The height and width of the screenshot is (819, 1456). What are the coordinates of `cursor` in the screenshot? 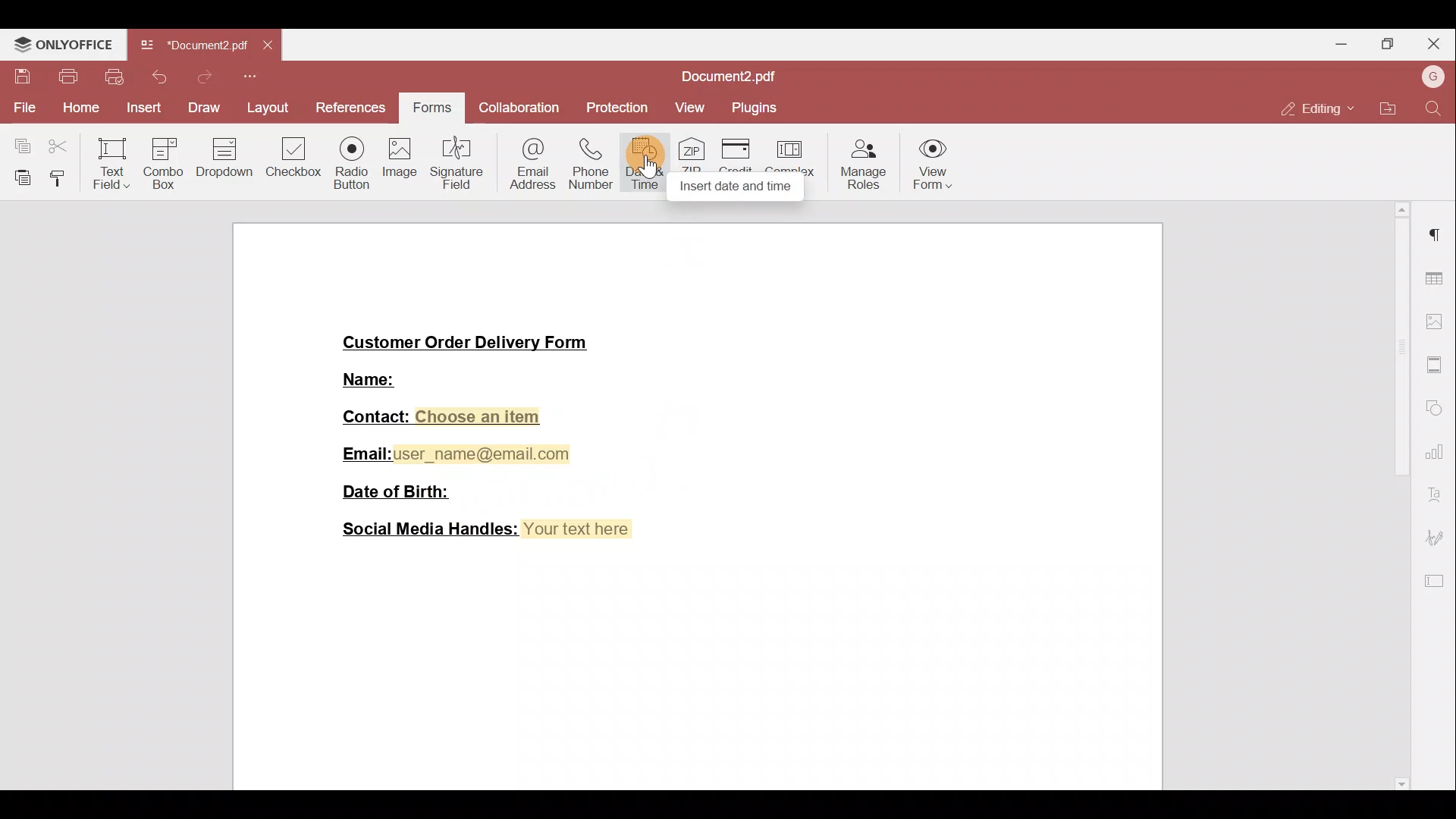 It's located at (648, 168).